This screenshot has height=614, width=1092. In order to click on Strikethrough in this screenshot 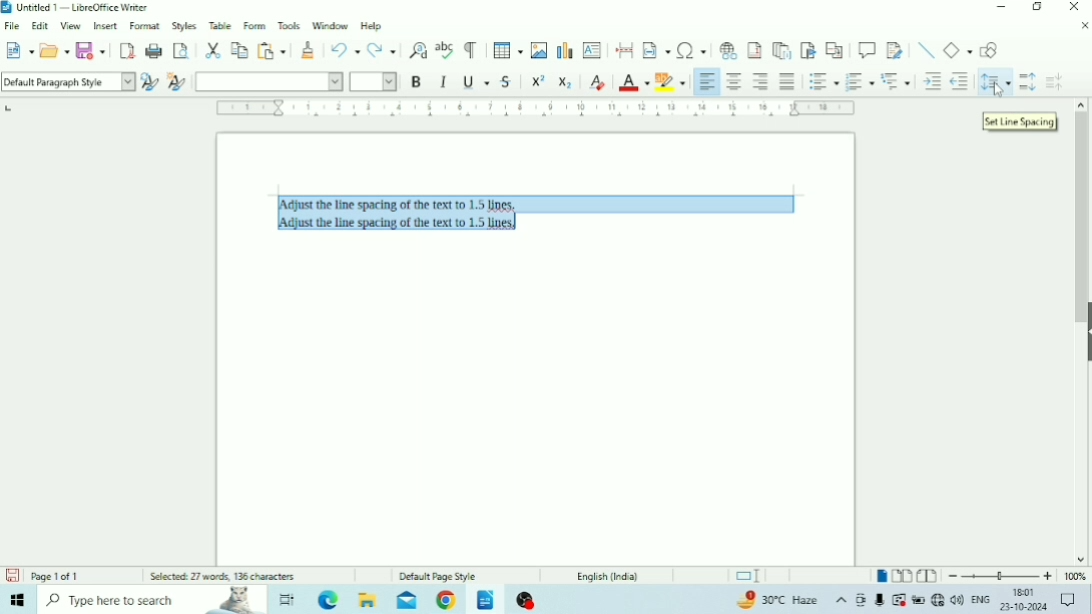, I will do `click(506, 82)`.